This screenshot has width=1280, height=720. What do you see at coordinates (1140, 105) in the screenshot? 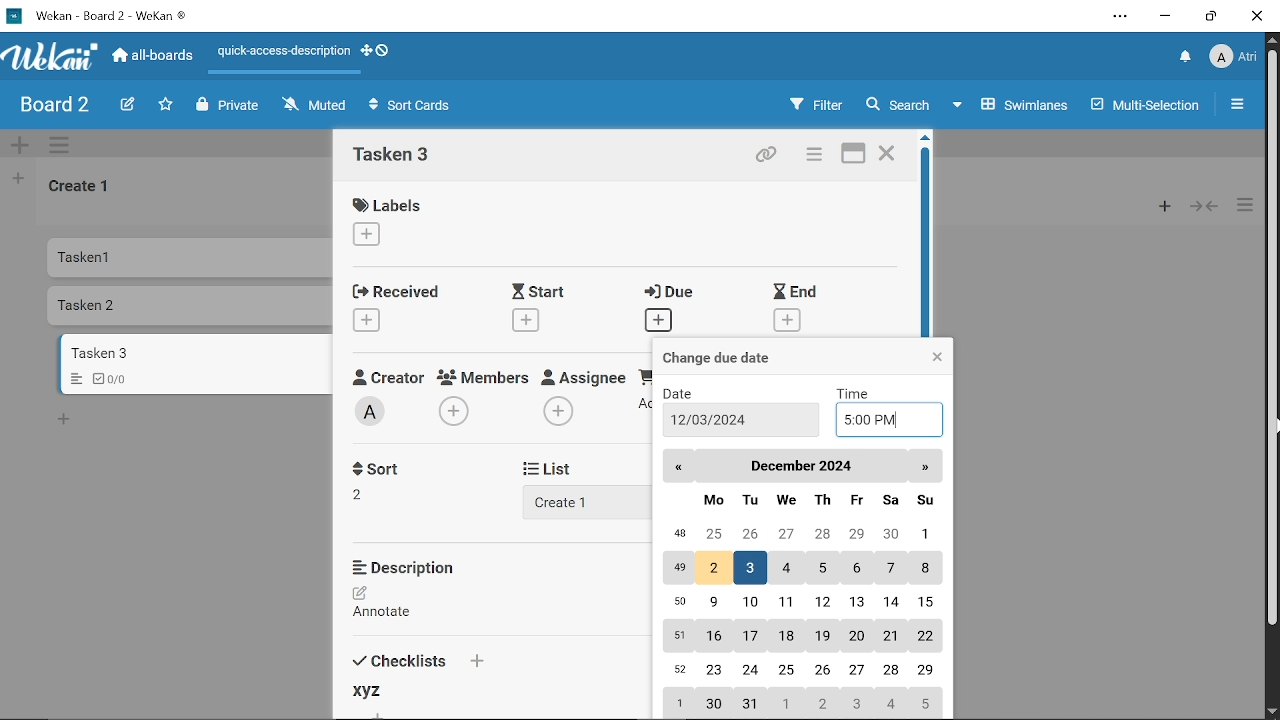
I see `Multi-Selecttion` at bounding box center [1140, 105].